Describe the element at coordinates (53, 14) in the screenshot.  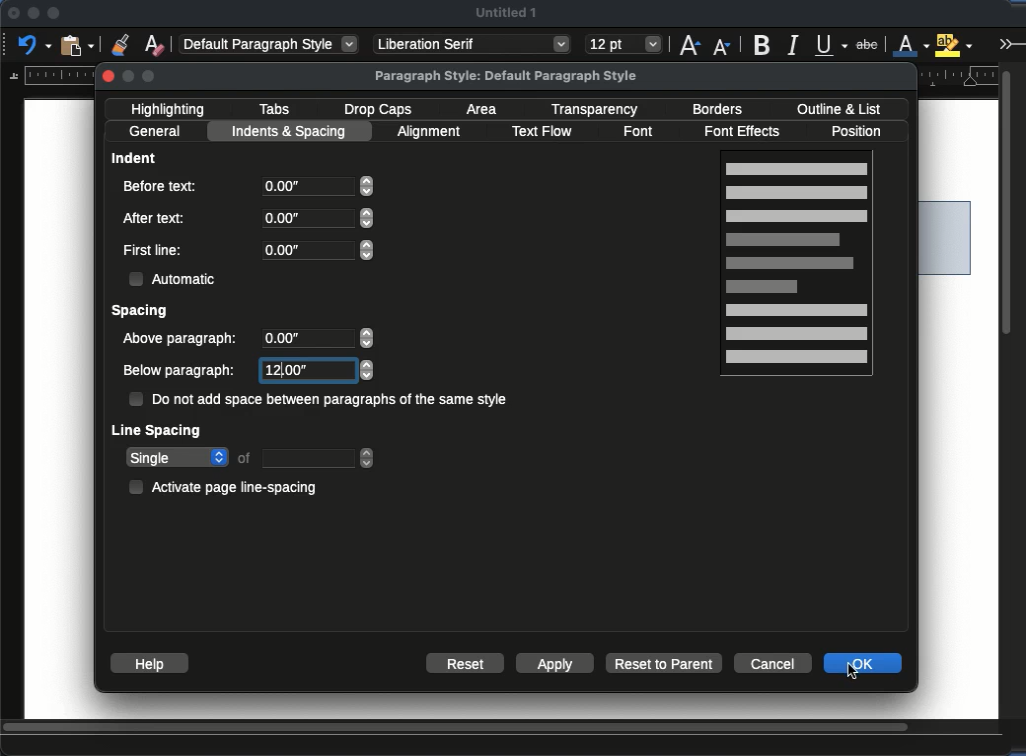
I see `maximize ` at that location.